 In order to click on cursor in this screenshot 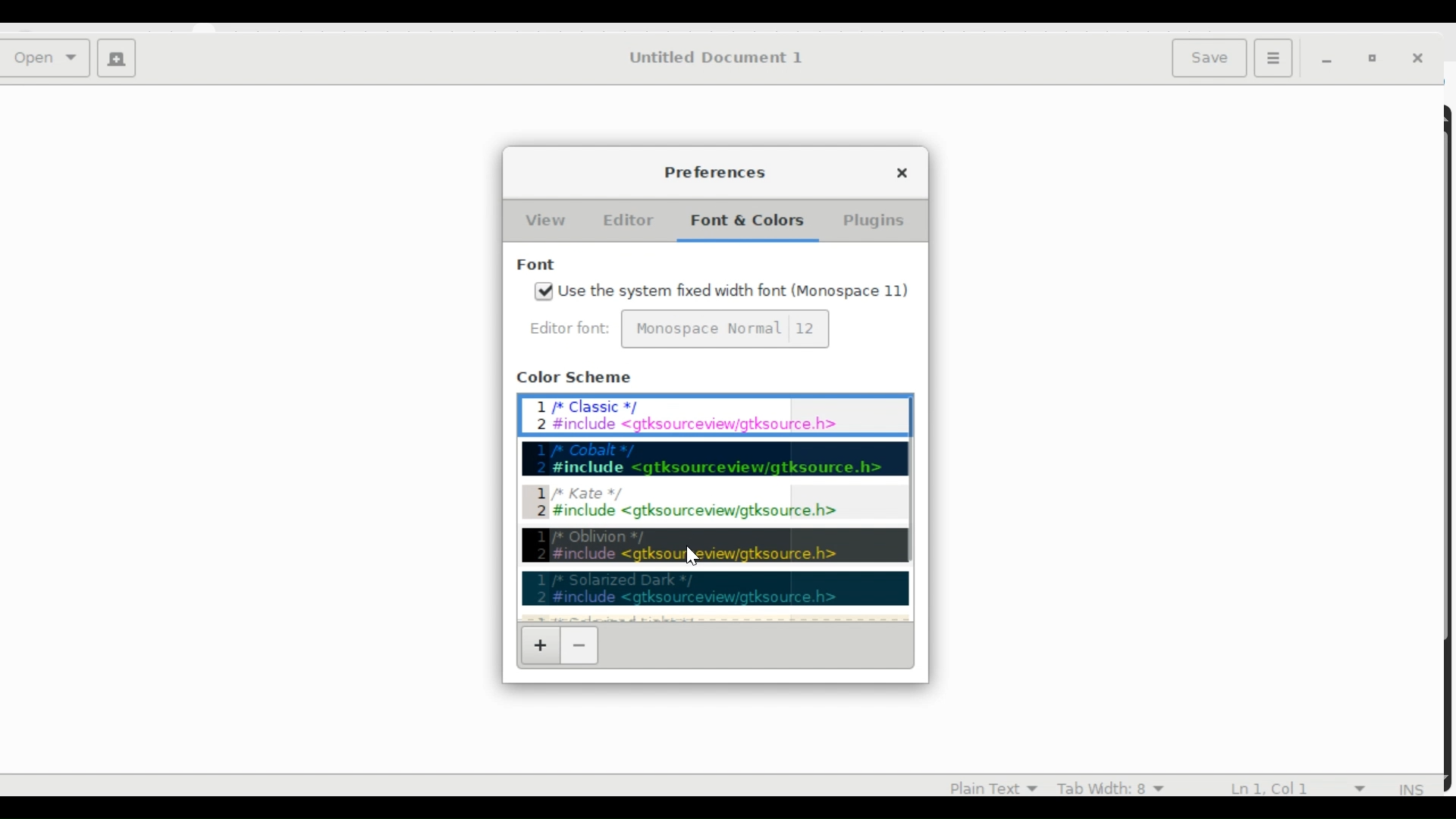, I will do `click(692, 555)`.